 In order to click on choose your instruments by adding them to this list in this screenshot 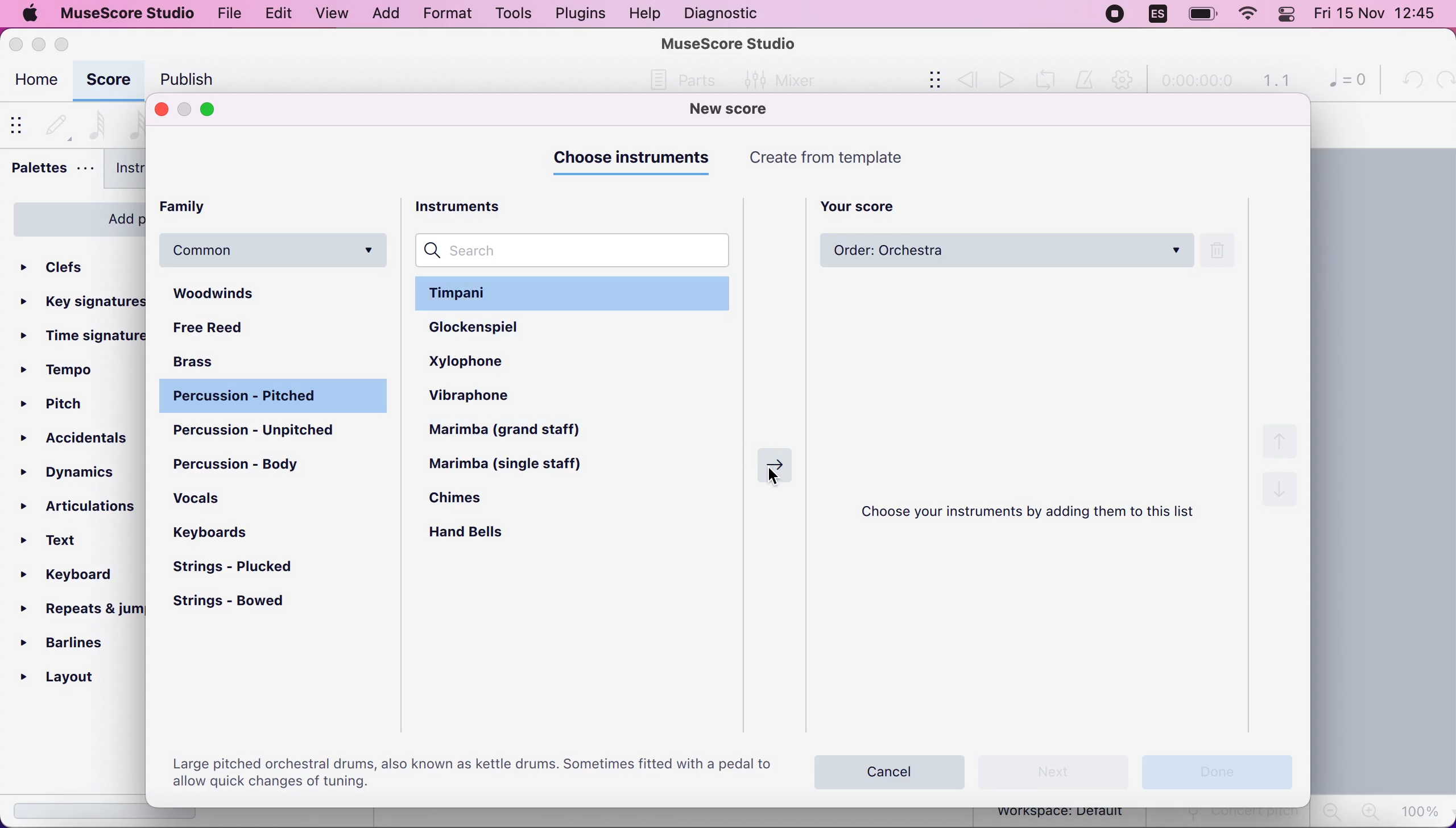, I will do `click(1036, 514)`.